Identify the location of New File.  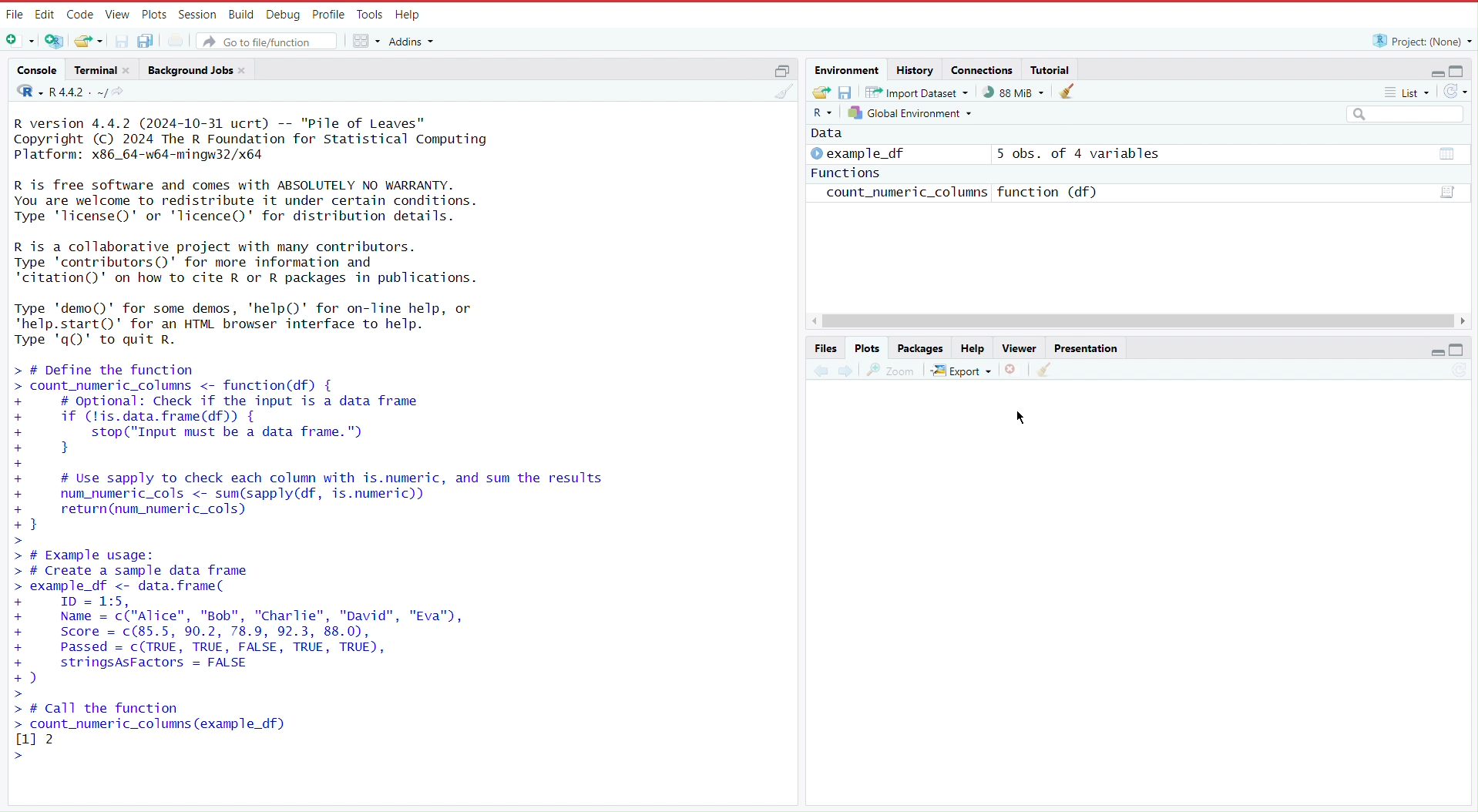
(22, 42).